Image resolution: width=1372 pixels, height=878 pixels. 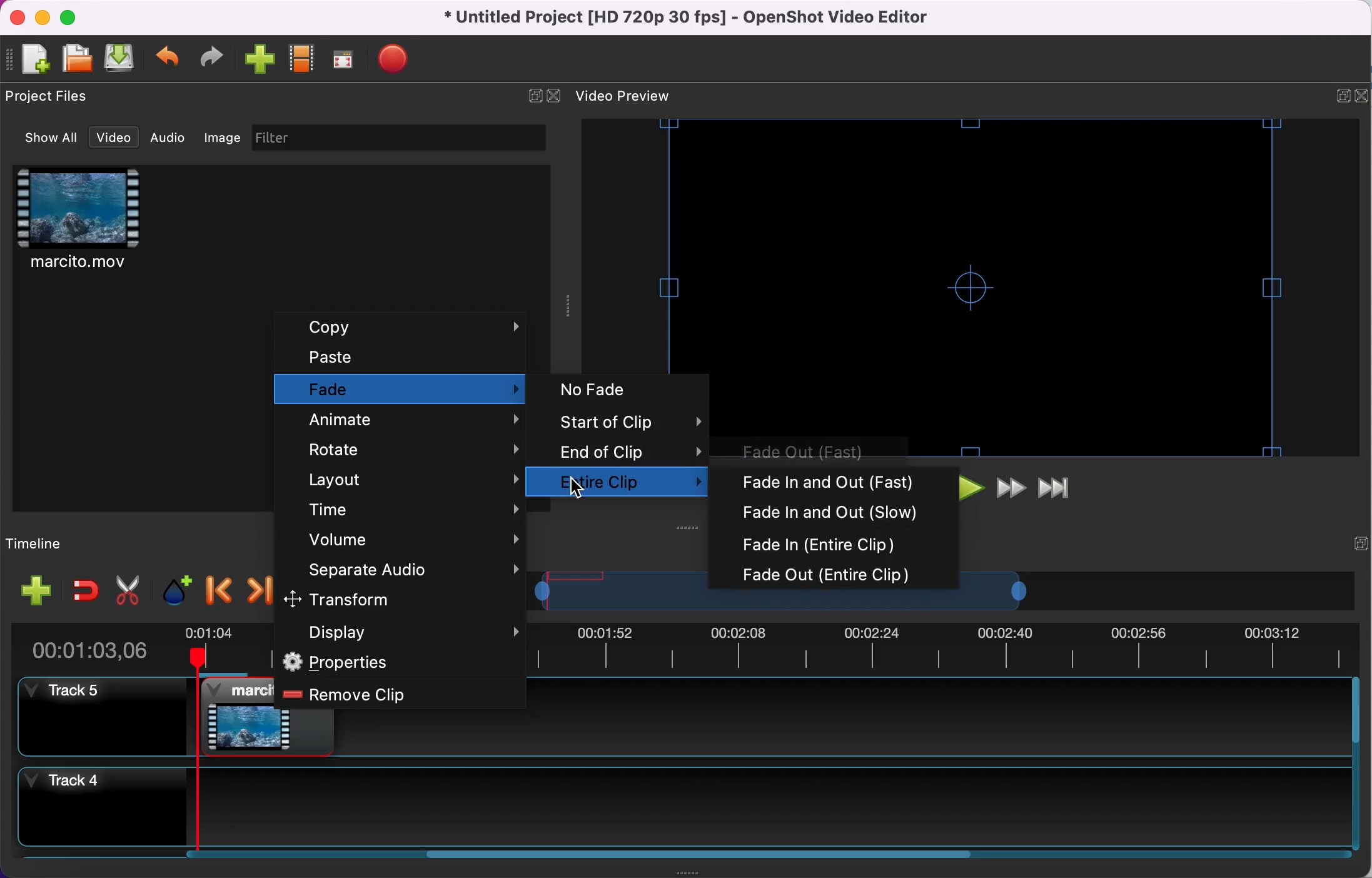 What do you see at coordinates (1009, 288) in the screenshot?
I see `video preview` at bounding box center [1009, 288].